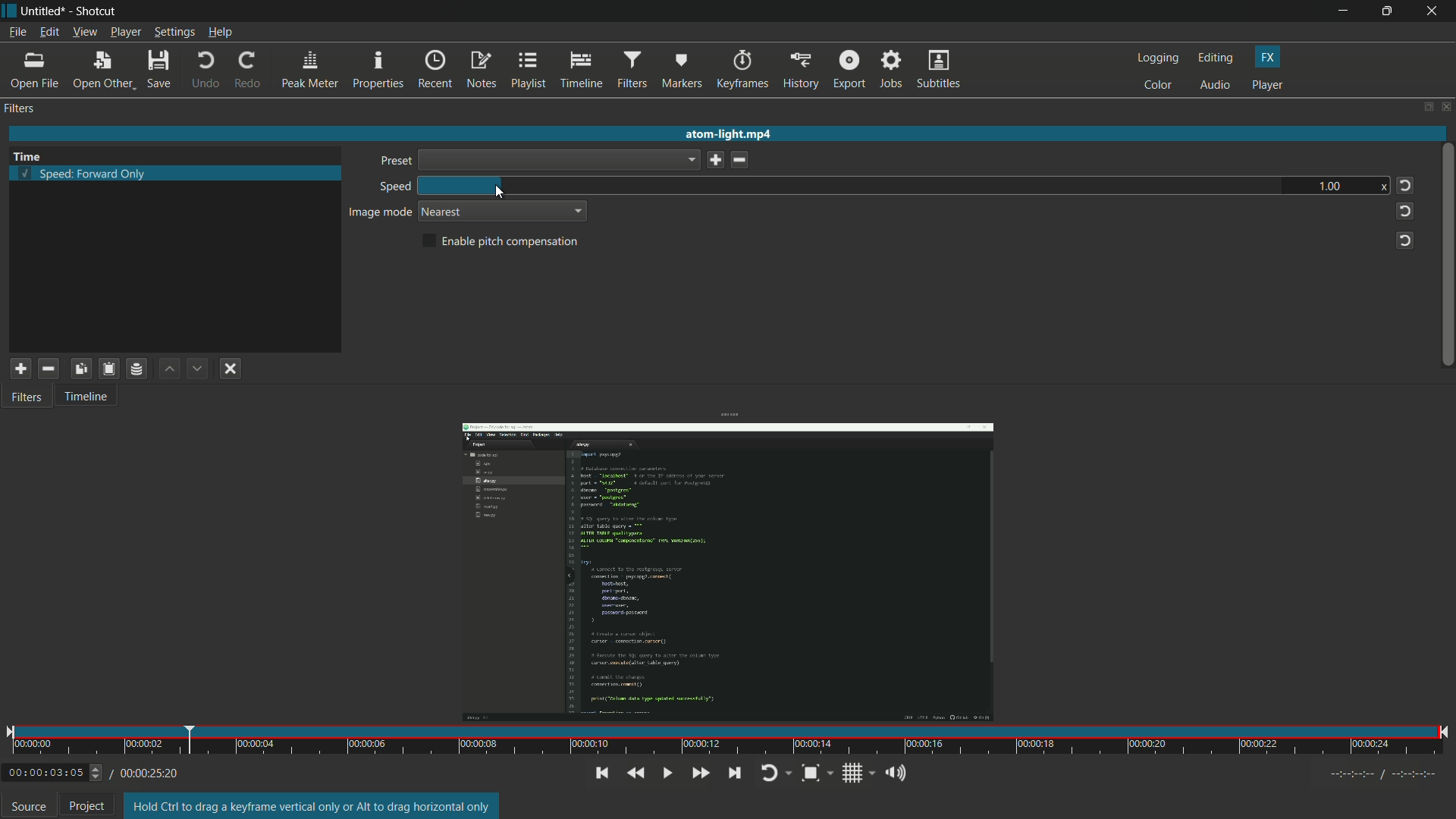  Describe the element at coordinates (733, 132) in the screenshot. I see `atom-light mp4 (opened file)` at that location.